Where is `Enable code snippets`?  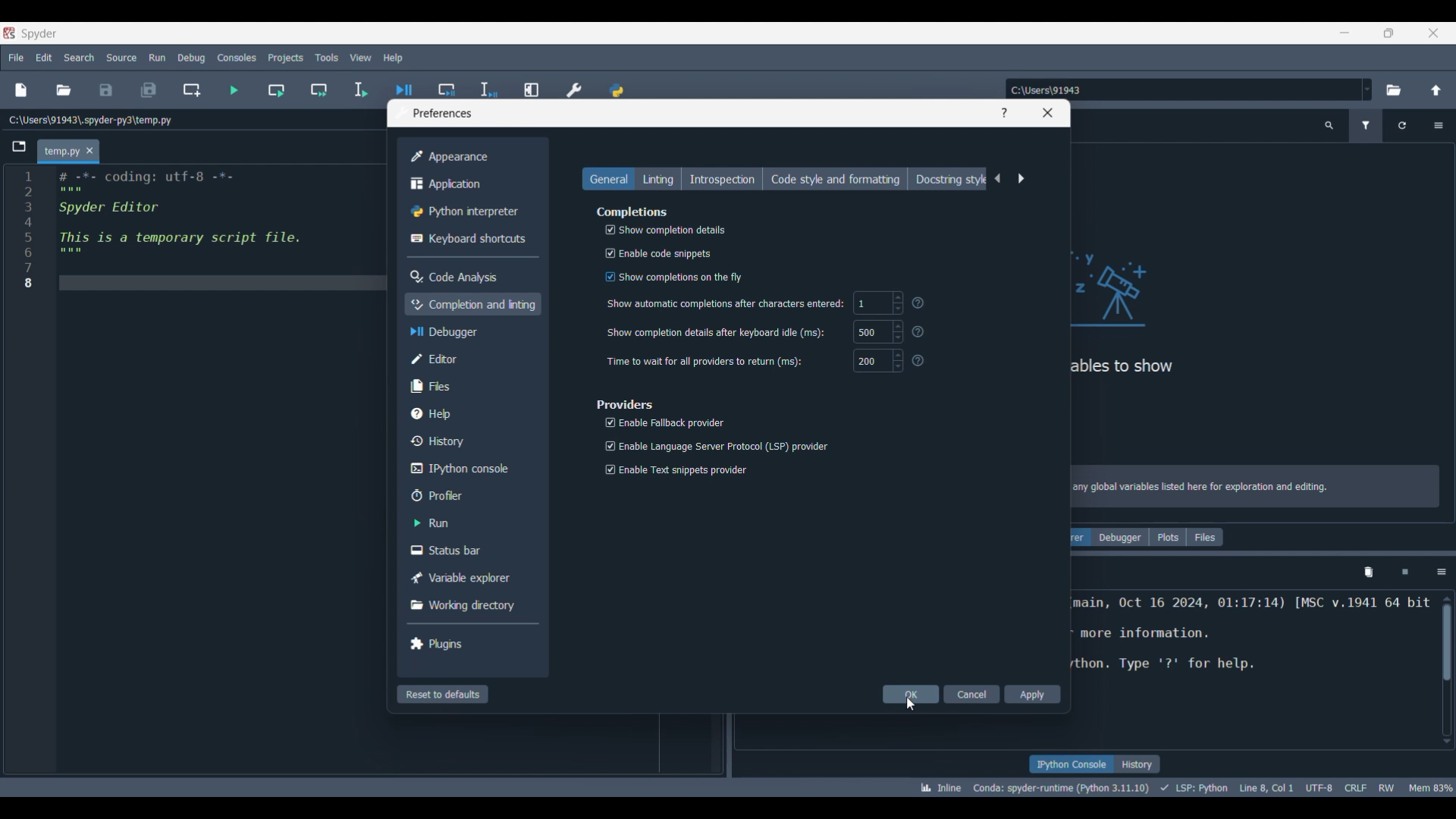 Enable code snippets is located at coordinates (654, 253).